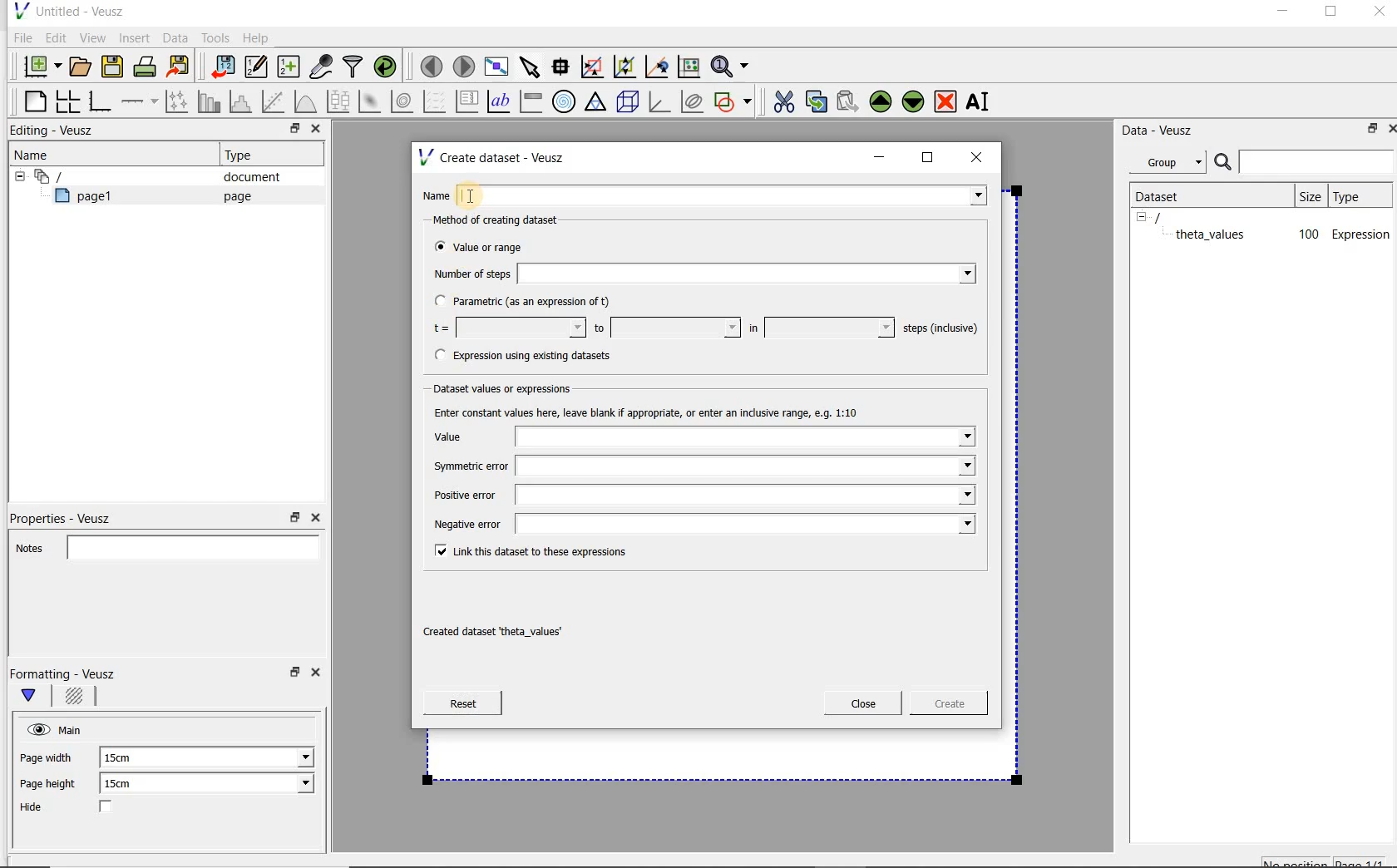  Describe the element at coordinates (16, 175) in the screenshot. I see `hide sub menu` at that location.